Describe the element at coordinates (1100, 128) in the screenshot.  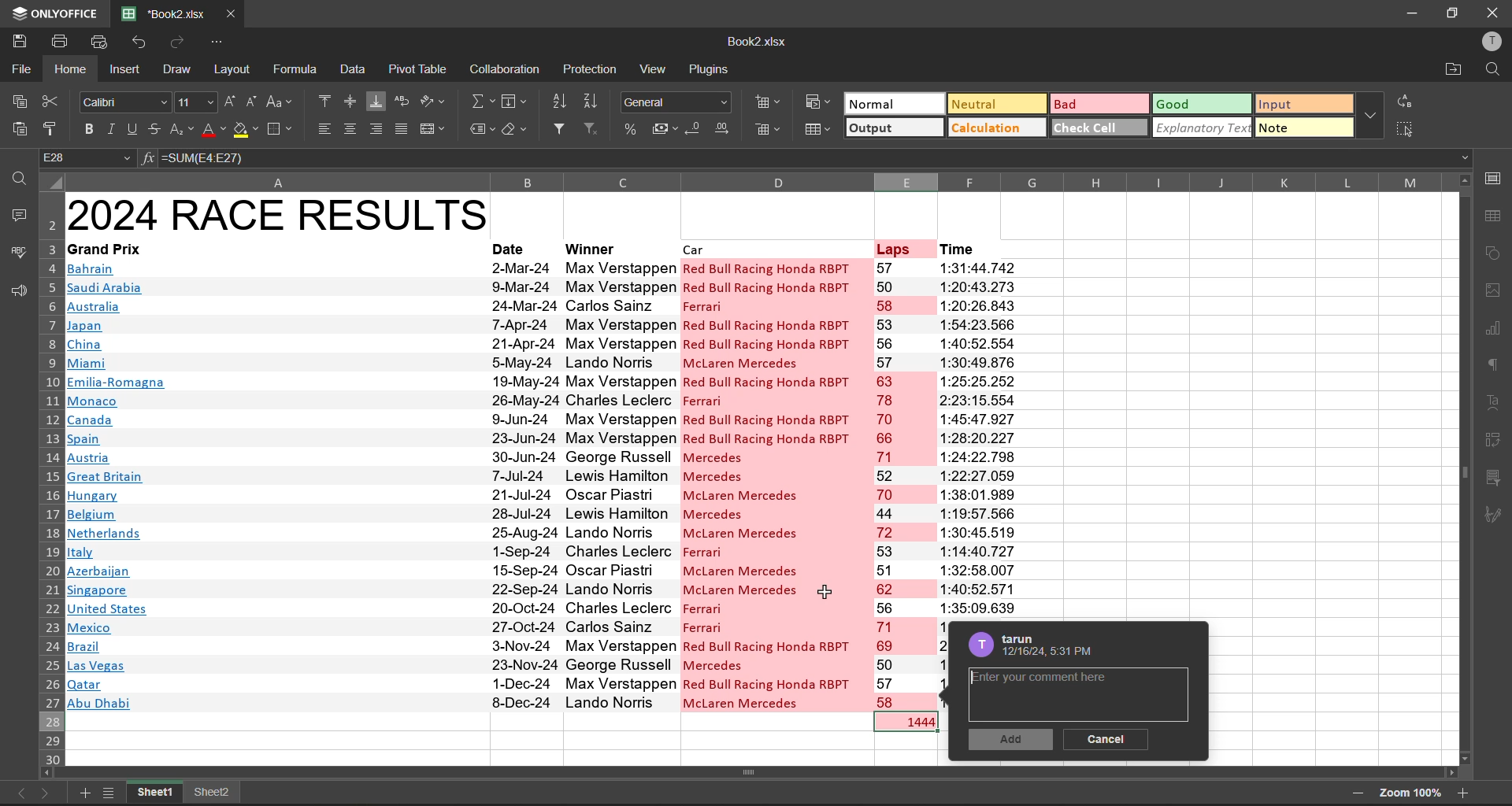
I see `check cell` at that location.